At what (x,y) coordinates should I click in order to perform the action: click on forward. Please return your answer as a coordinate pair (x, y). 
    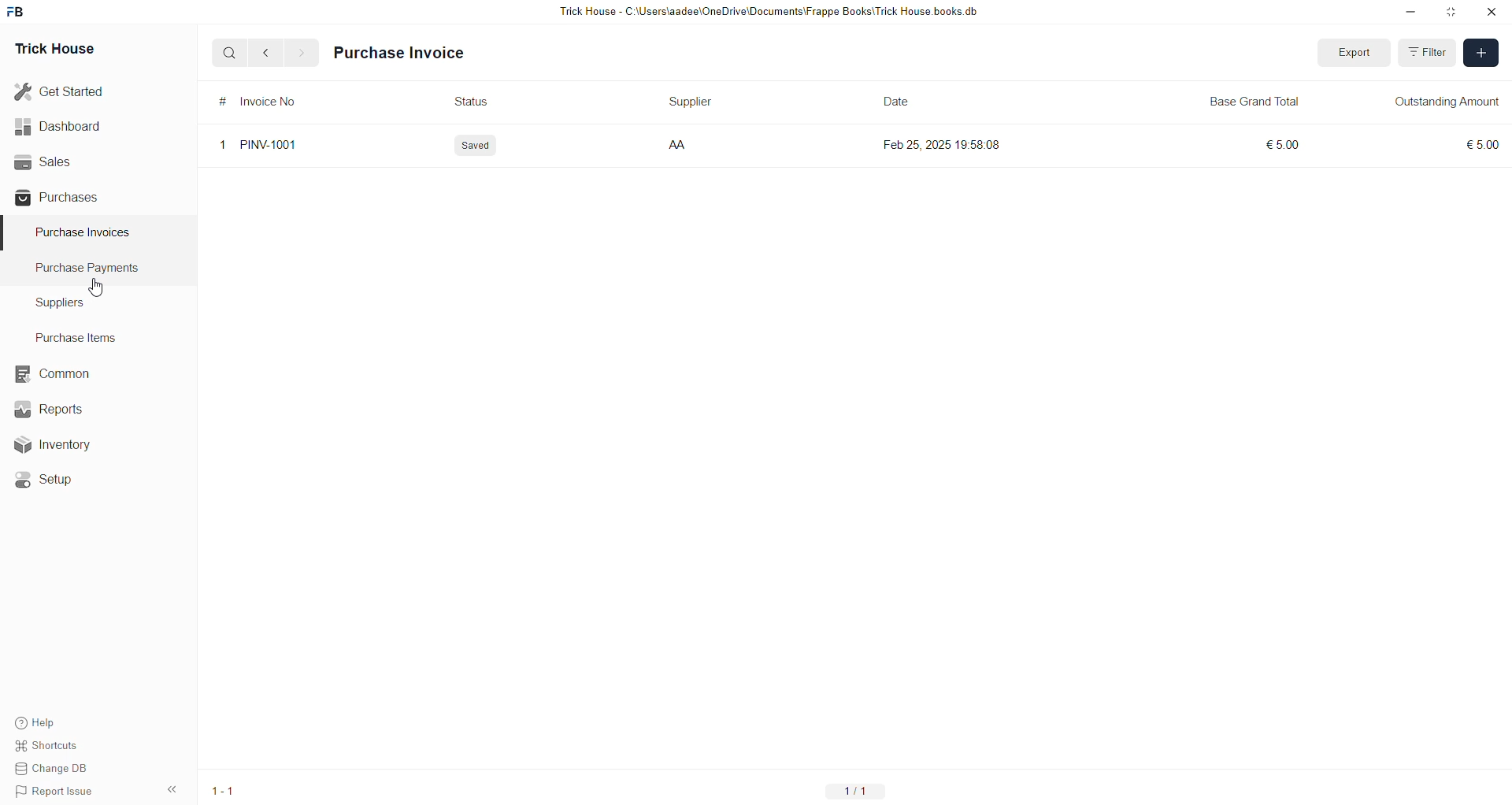
    Looking at the image, I should click on (301, 53).